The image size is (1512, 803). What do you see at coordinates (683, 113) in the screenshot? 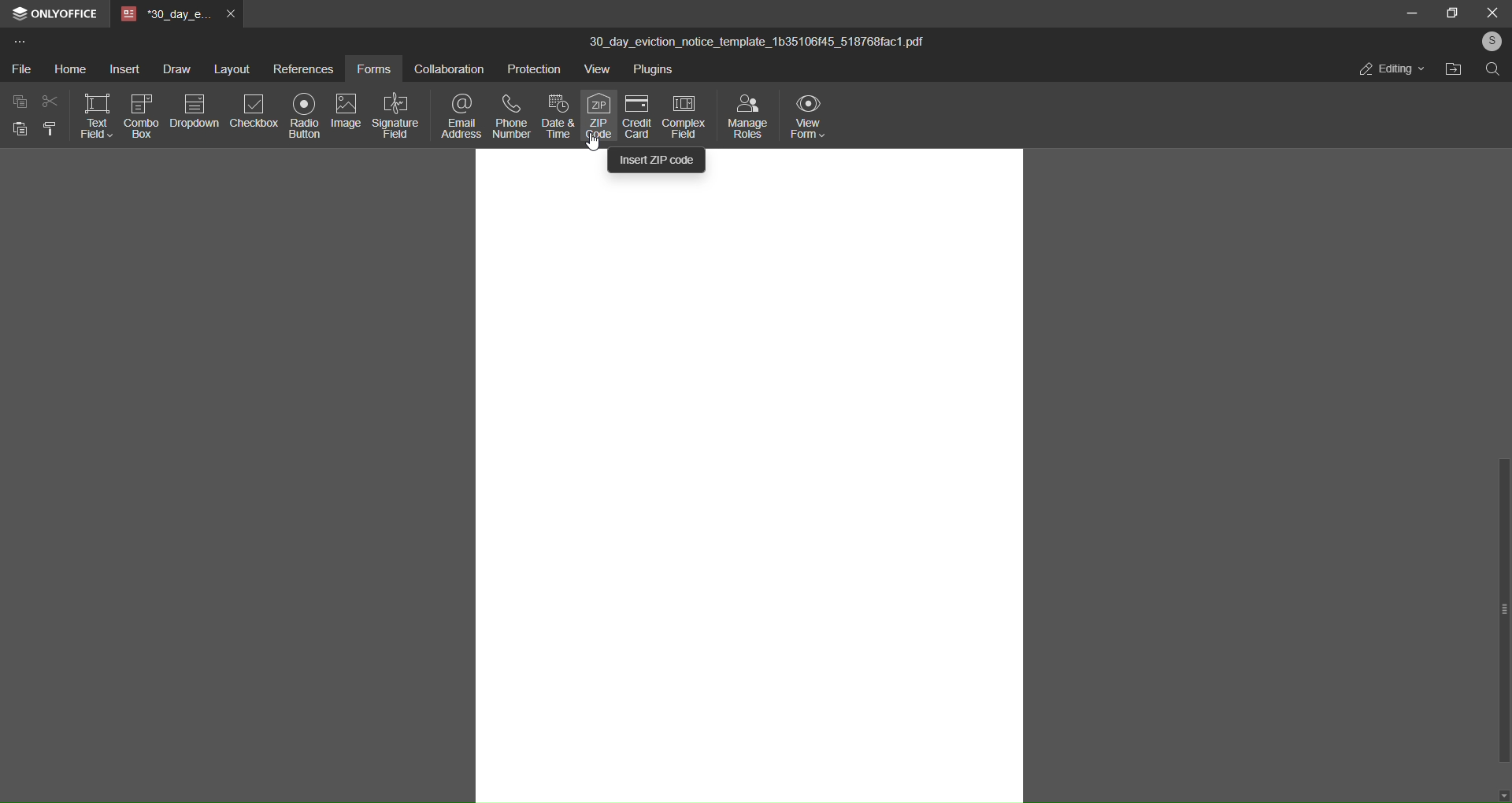
I see `complex field` at bounding box center [683, 113].